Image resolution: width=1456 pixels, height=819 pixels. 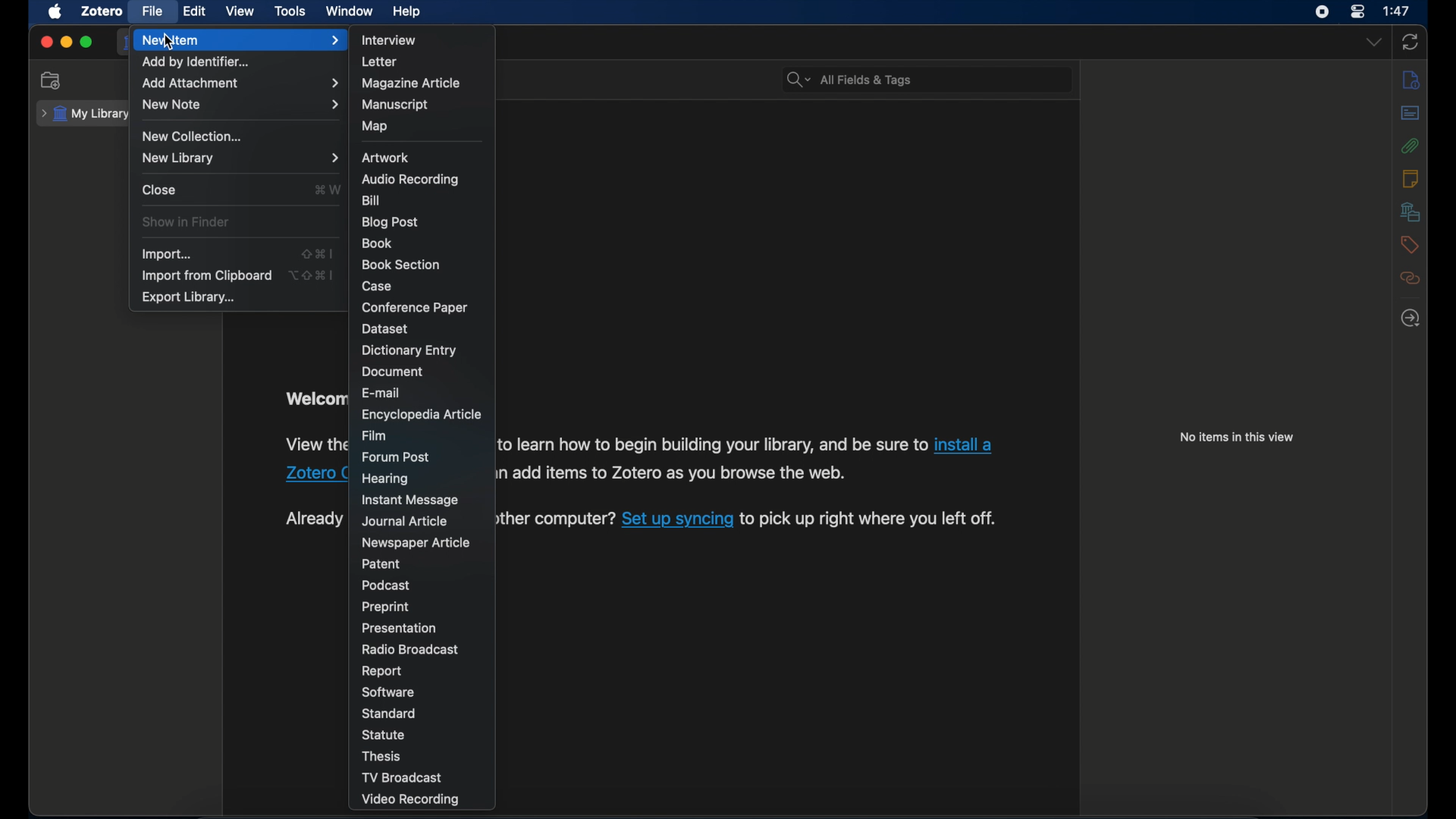 I want to click on software, so click(x=388, y=692).